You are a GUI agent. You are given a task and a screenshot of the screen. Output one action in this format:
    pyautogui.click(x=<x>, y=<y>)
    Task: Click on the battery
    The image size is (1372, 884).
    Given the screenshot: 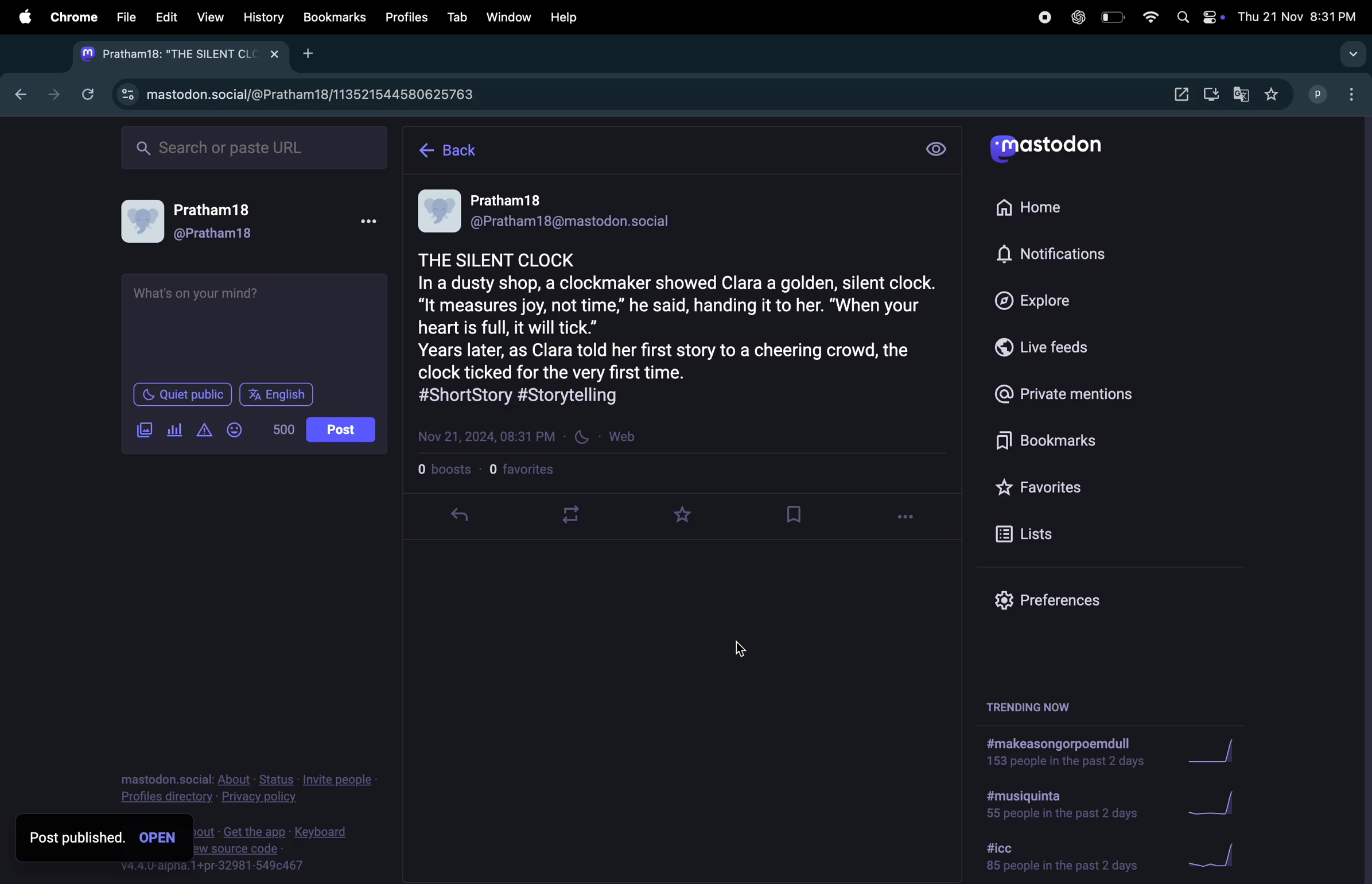 What is the action you would take?
    pyautogui.click(x=1113, y=18)
    